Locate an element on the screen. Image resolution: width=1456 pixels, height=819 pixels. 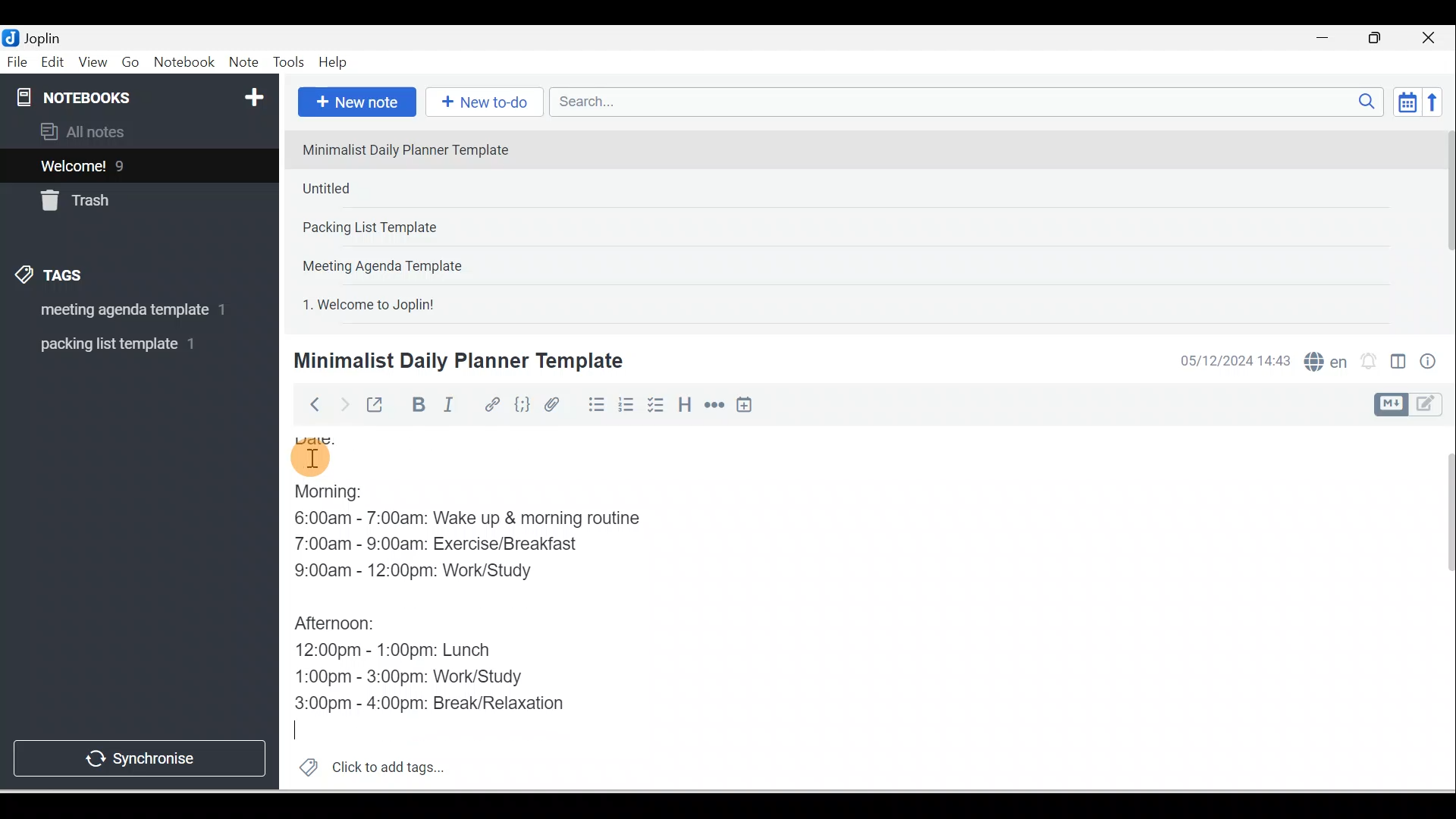
Close is located at coordinates (1432, 38).